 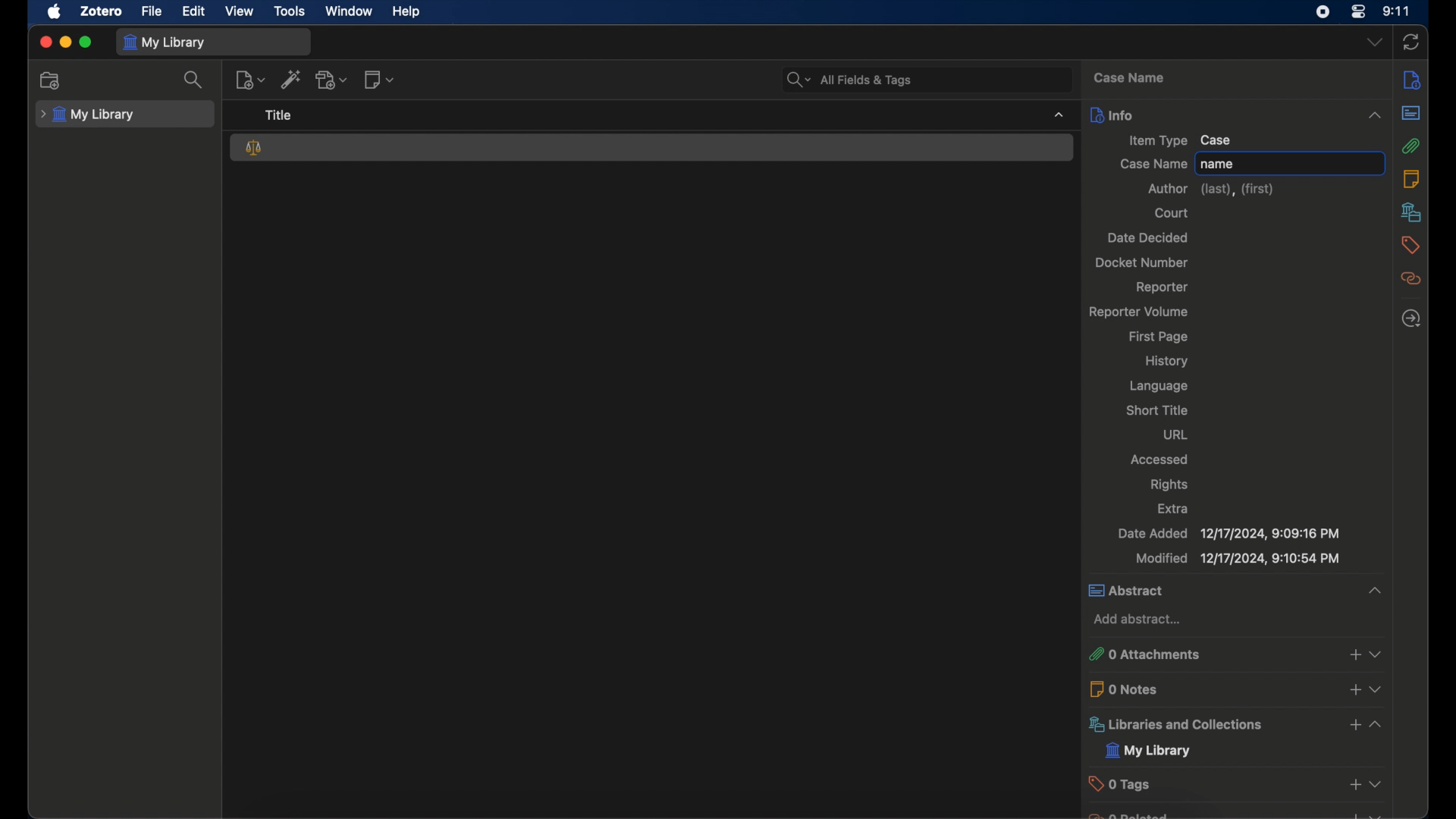 What do you see at coordinates (1410, 42) in the screenshot?
I see `sync` at bounding box center [1410, 42].